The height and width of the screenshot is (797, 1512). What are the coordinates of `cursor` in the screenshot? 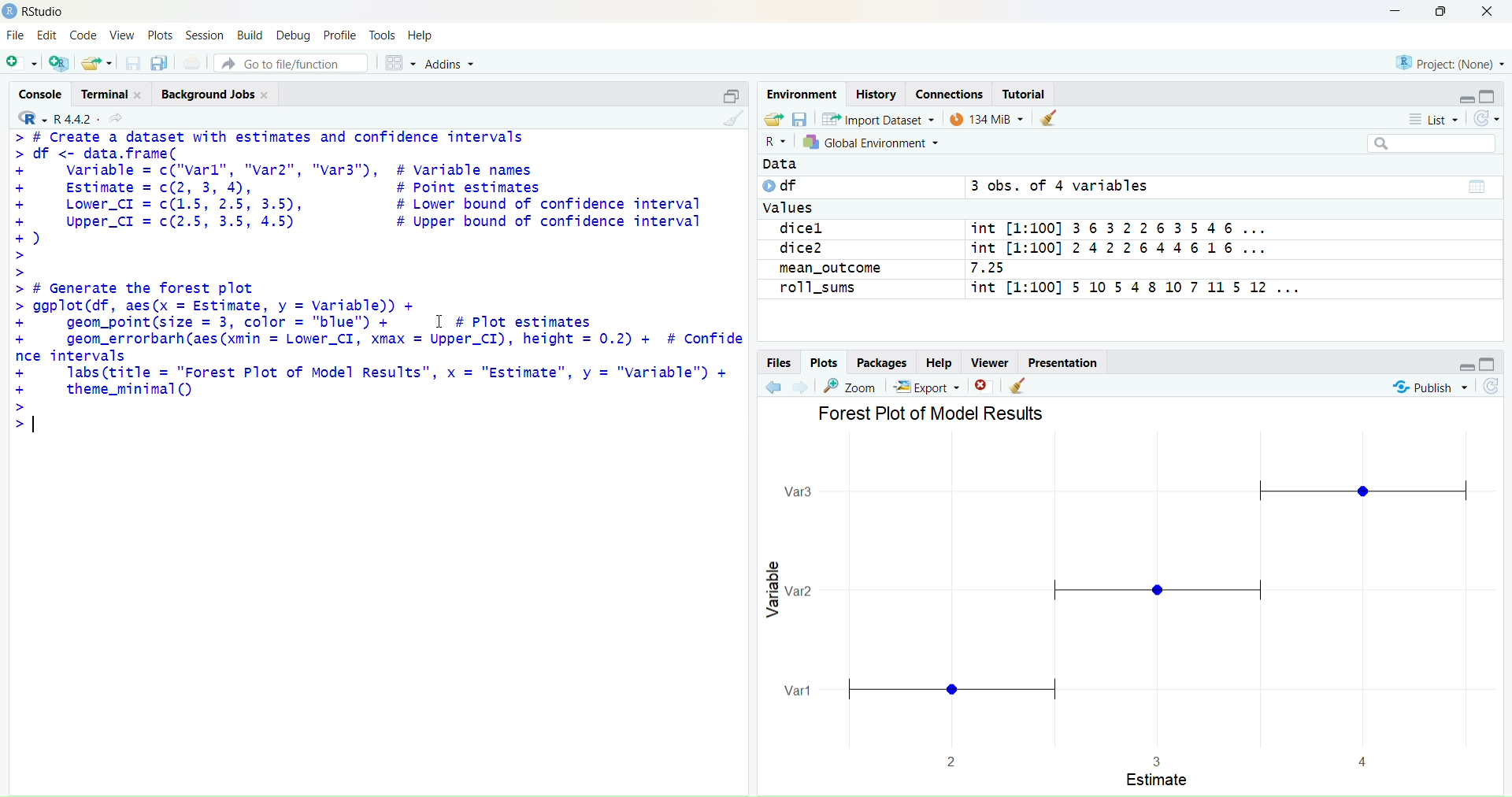 It's located at (439, 323).